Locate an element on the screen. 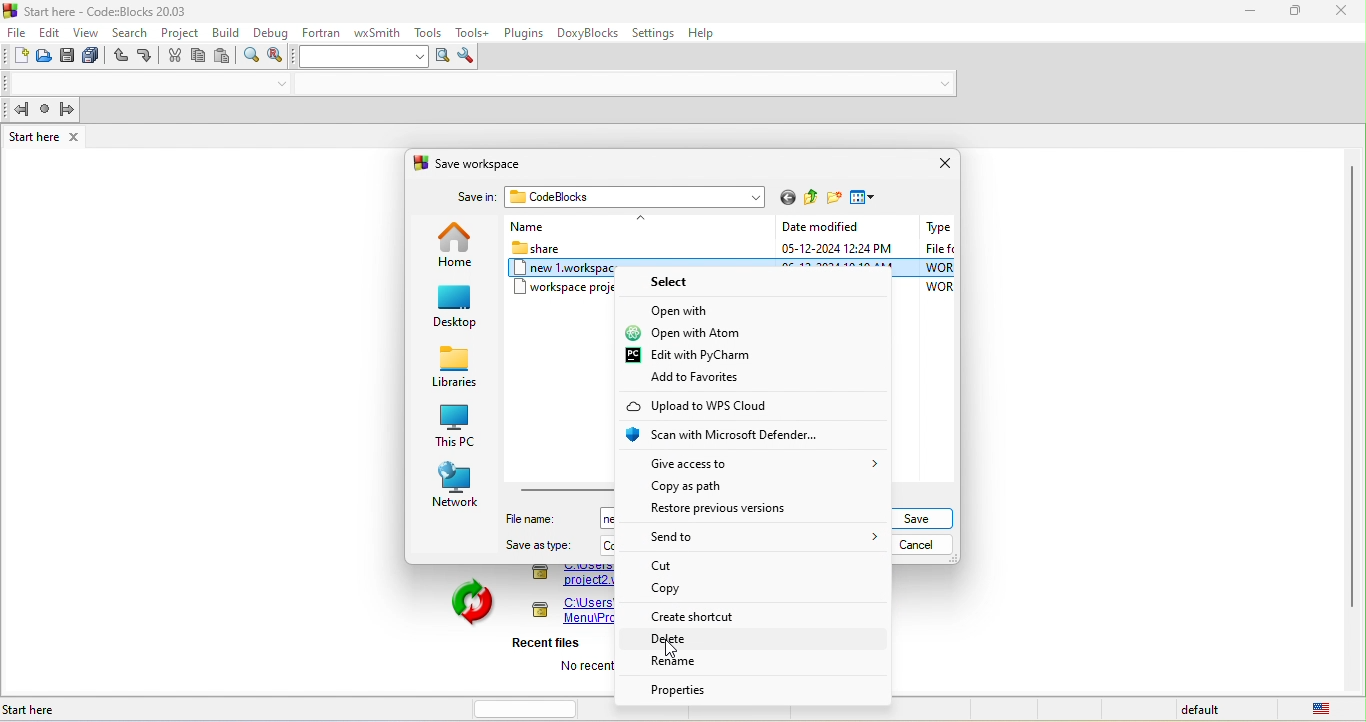  rename is located at coordinates (688, 660).